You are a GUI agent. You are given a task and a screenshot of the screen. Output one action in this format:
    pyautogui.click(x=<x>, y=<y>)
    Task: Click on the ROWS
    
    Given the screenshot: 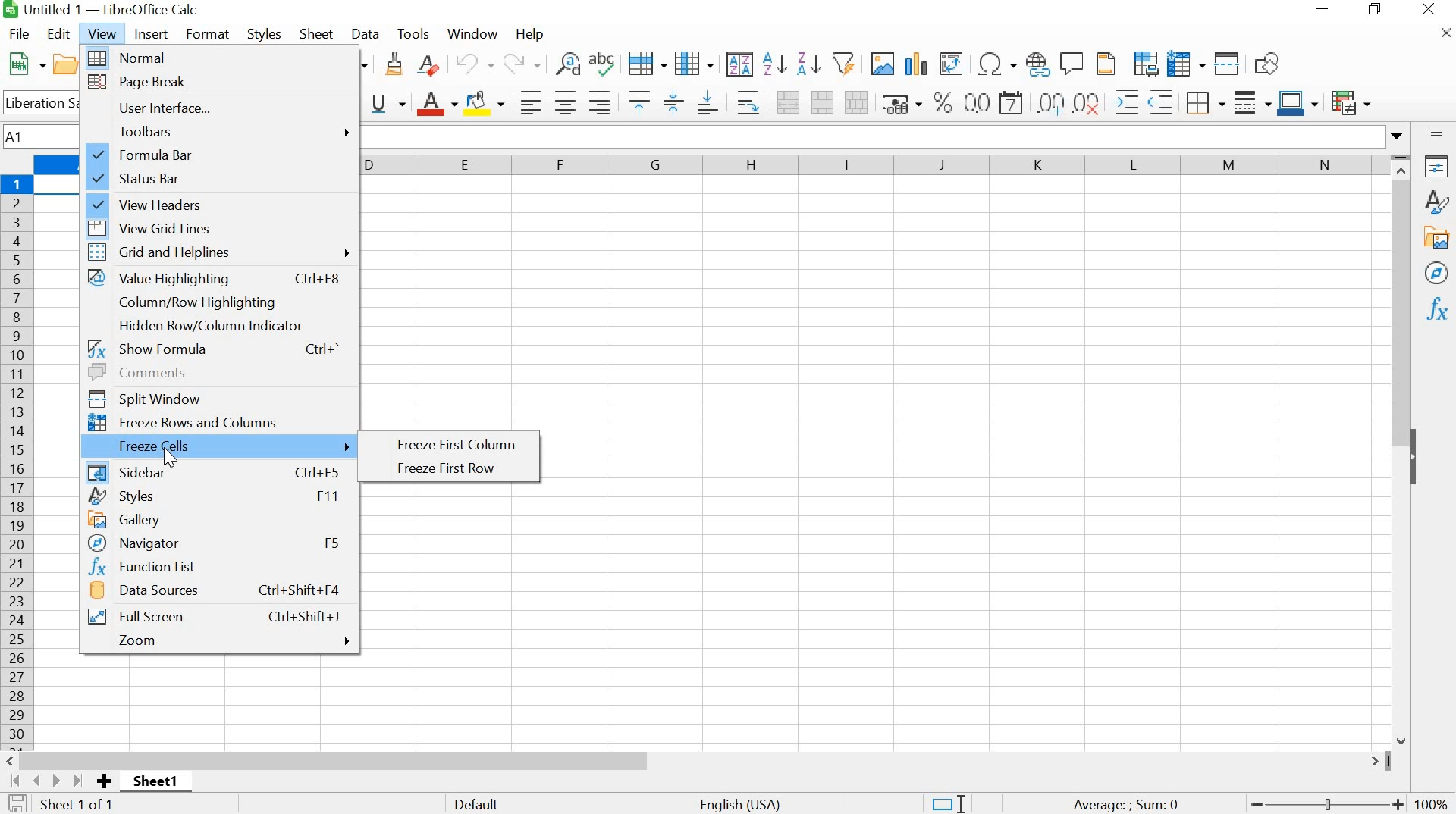 What is the action you would take?
    pyautogui.click(x=18, y=459)
    